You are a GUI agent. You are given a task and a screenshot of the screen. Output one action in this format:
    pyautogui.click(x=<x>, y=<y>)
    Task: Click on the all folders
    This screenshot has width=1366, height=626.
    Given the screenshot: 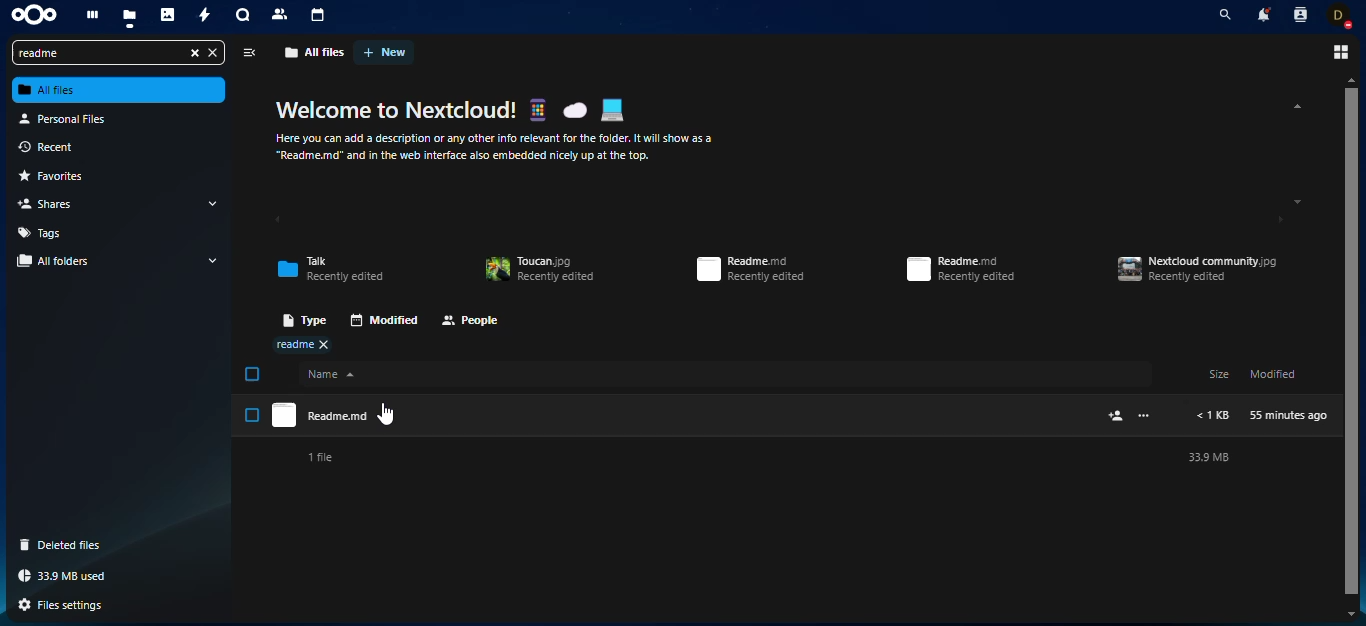 What is the action you would take?
    pyautogui.click(x=59, y=261)
    